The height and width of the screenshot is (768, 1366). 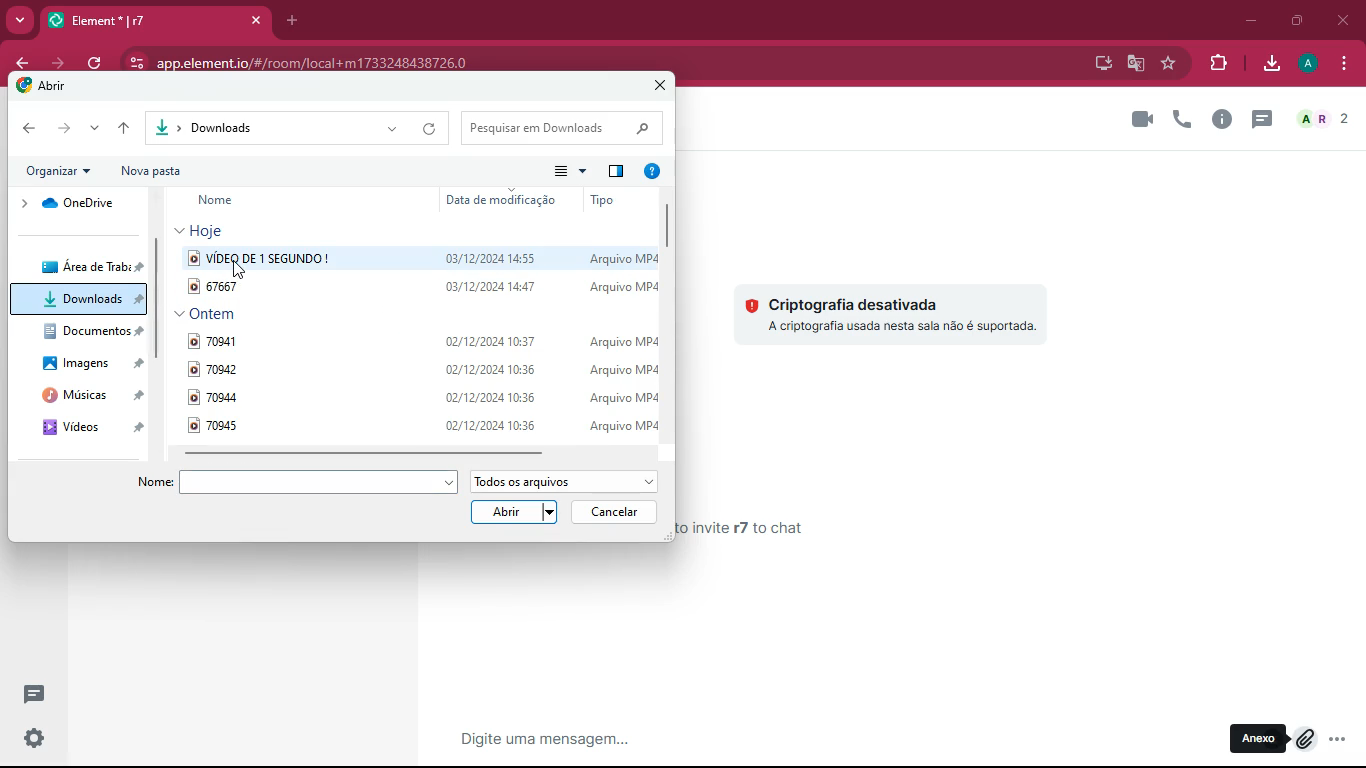 What do you see at coordinates (223, 199) in the screenshot?
I see `name` at bounding box center [223, 199].